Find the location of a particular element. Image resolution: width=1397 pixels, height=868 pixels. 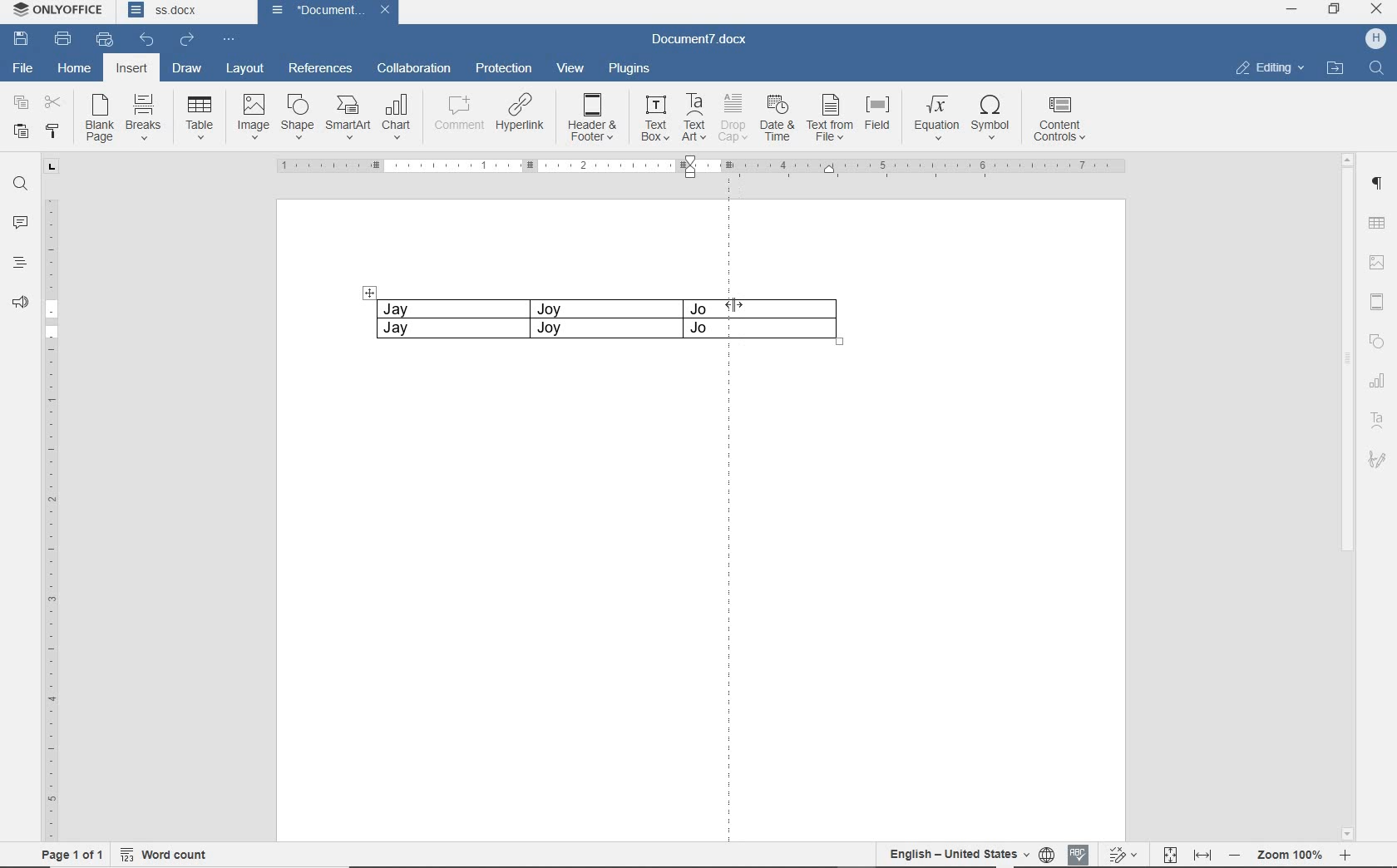

CURSOR POSITION is located at coordinates (733, 305).